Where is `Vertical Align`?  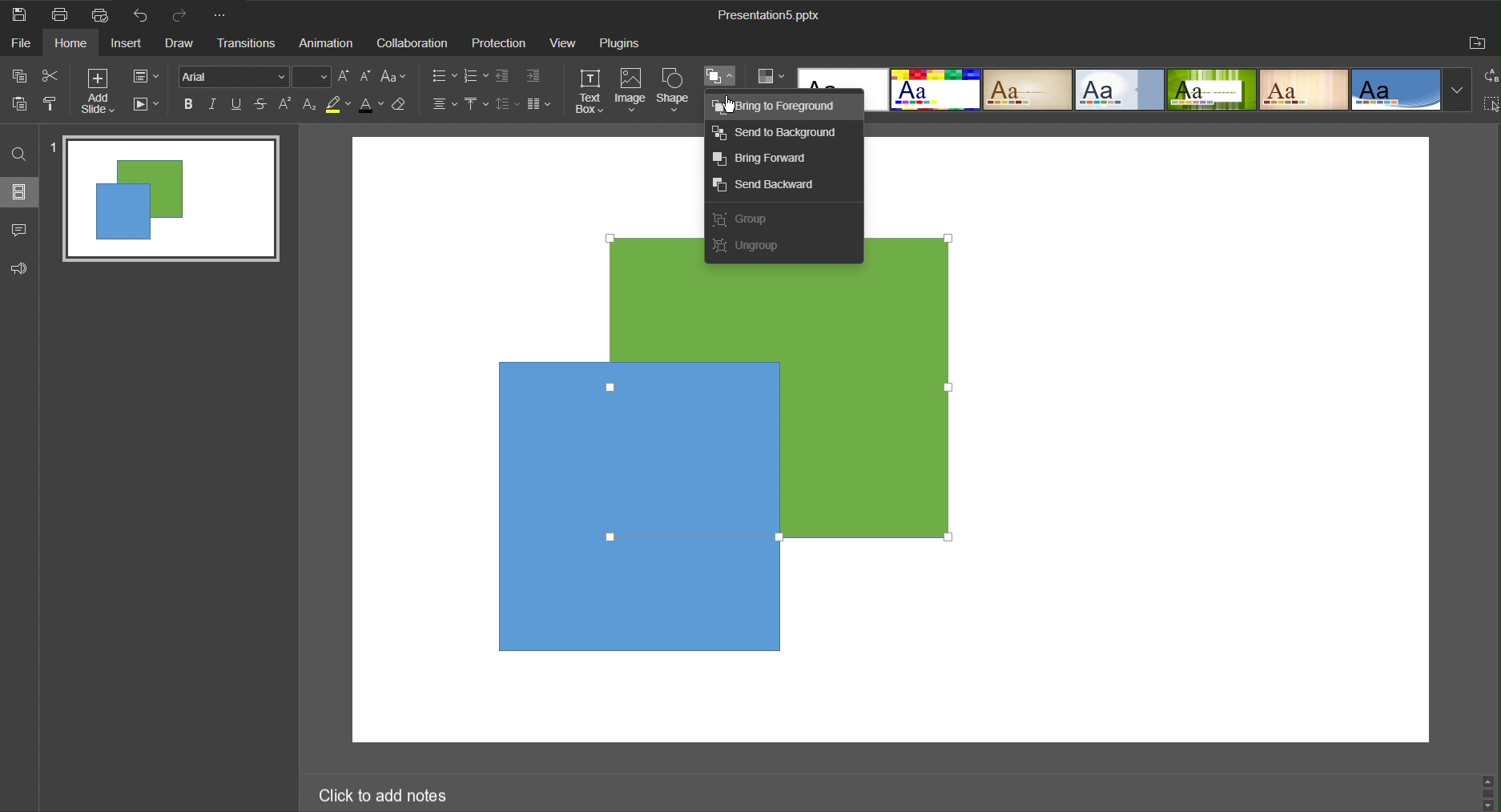 Vertical Align is located at coordinates (476, 106).